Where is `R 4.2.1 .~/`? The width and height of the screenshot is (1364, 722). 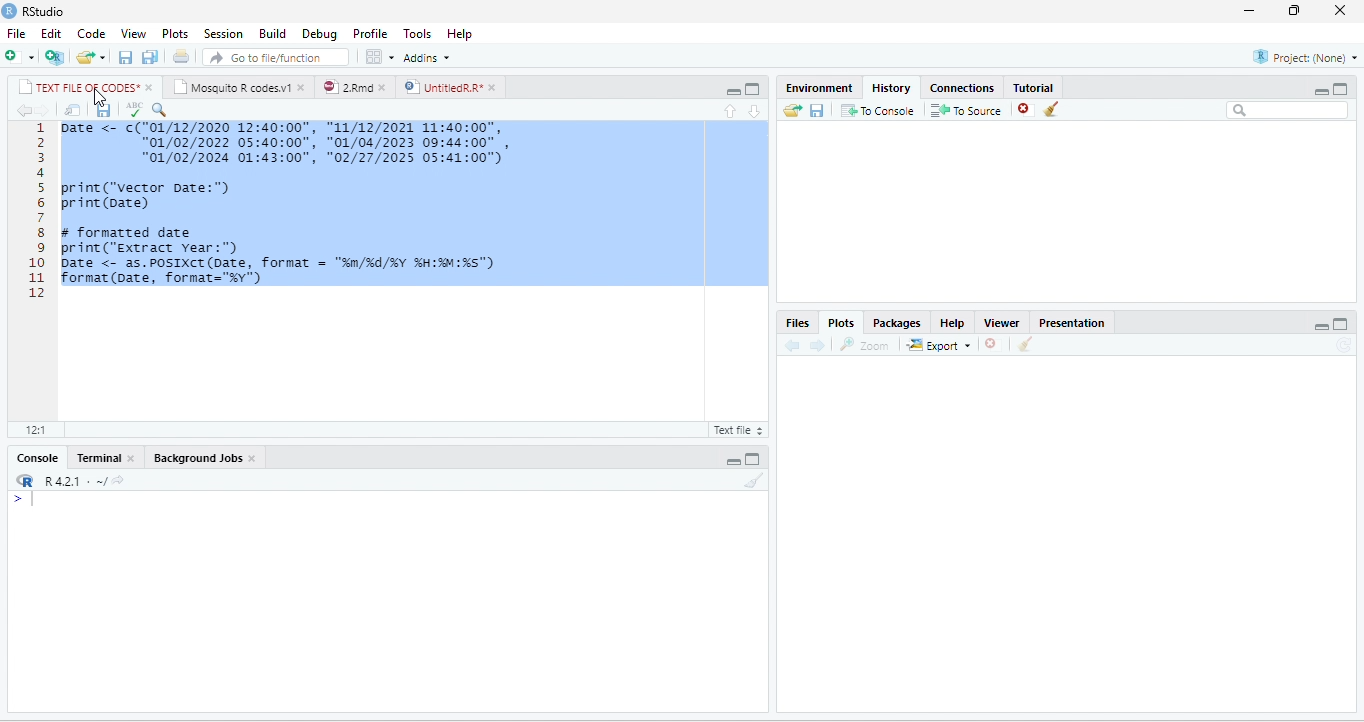 R 4.2.1 .~/ is located at coordinates (71, 481).